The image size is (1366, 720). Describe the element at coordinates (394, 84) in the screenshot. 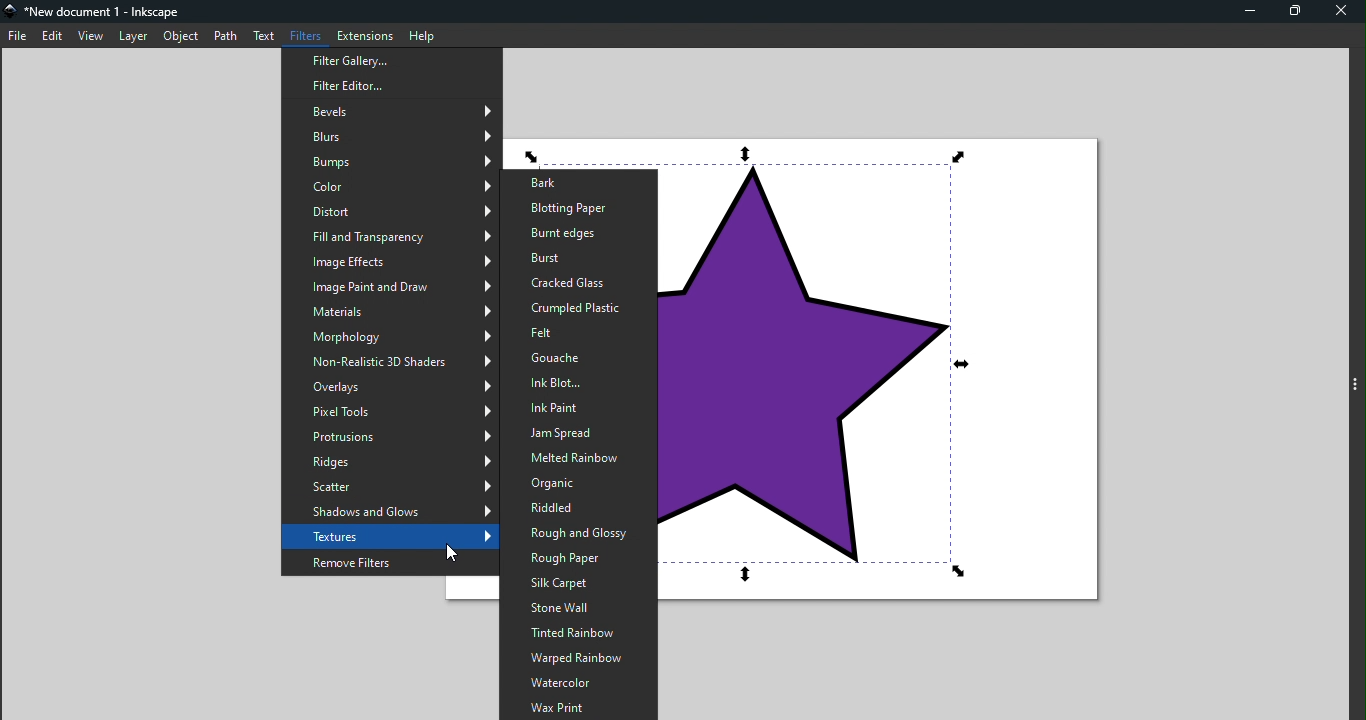

I see `Filter editor` at that location.